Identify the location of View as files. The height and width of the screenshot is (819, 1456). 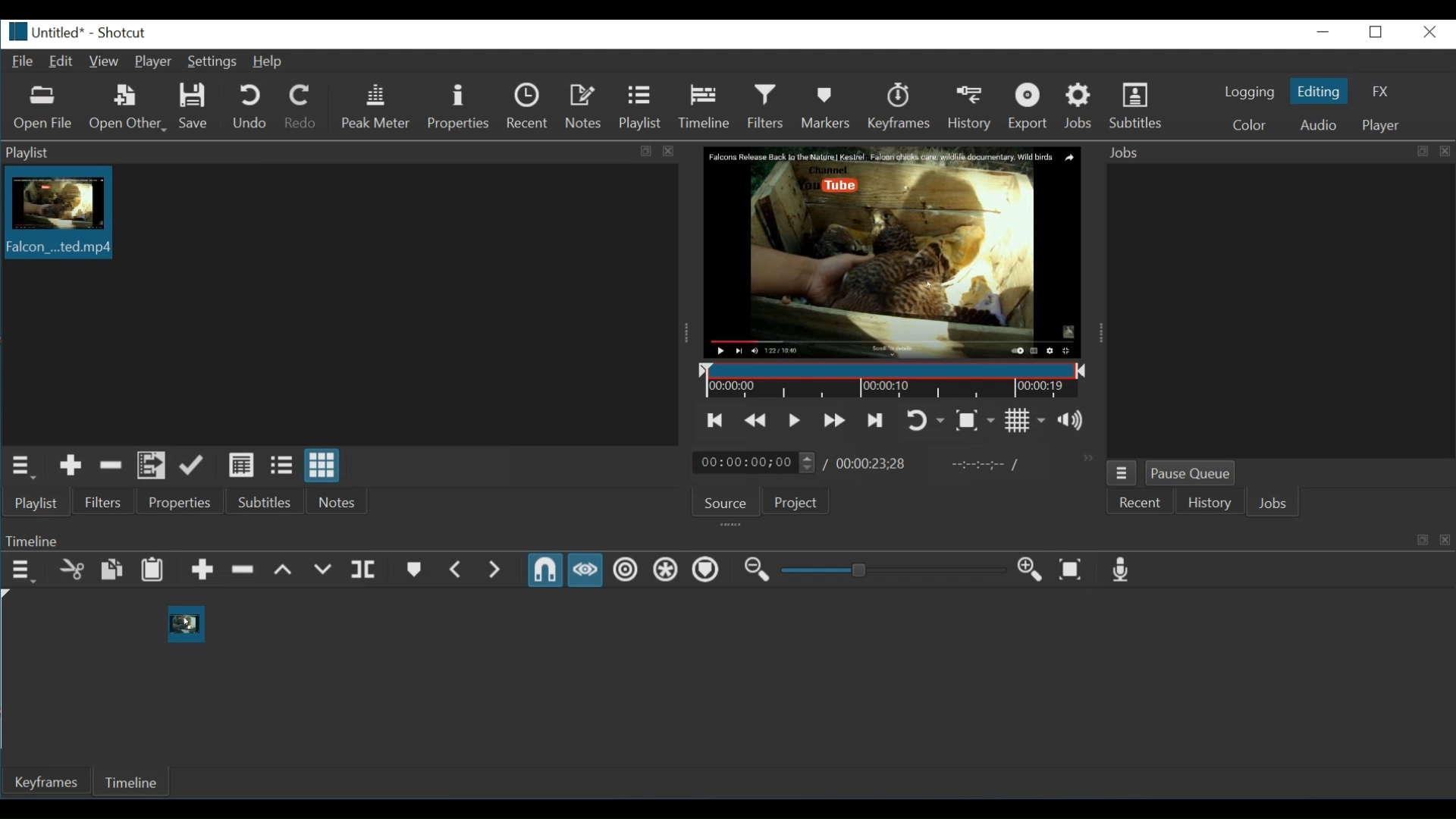
(281, 466).